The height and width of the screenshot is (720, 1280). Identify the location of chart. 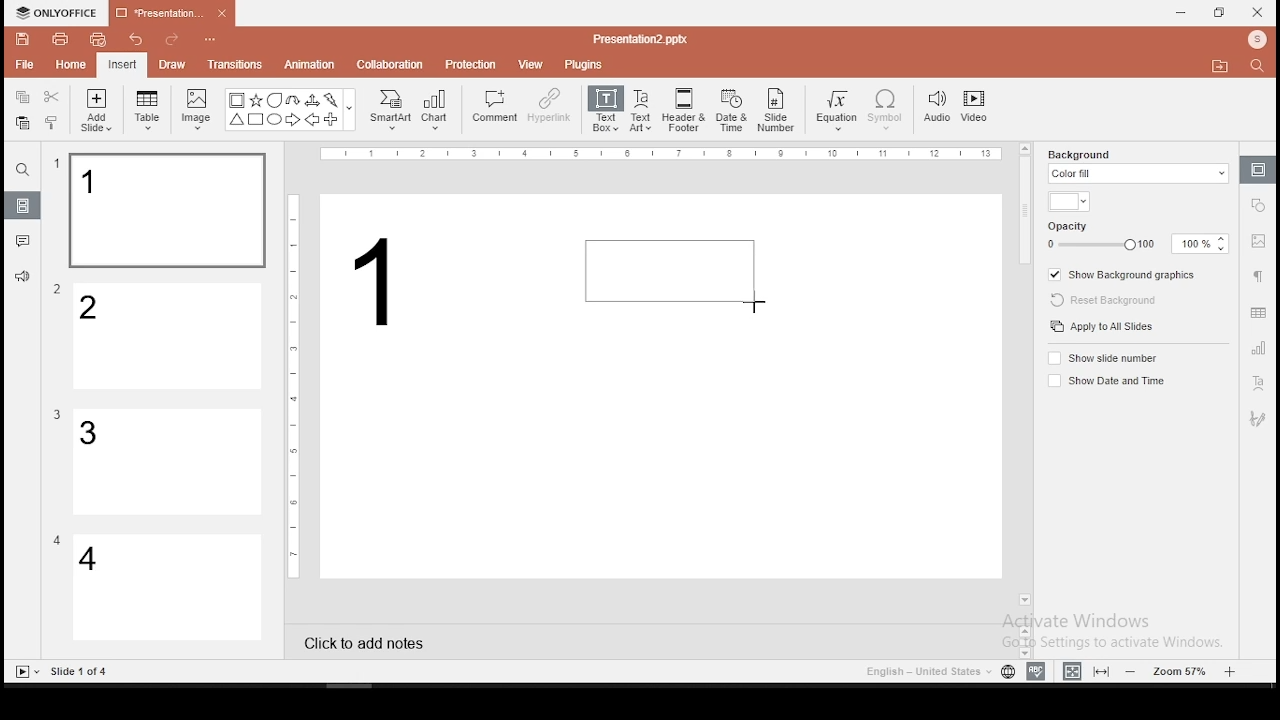
(436, 109).